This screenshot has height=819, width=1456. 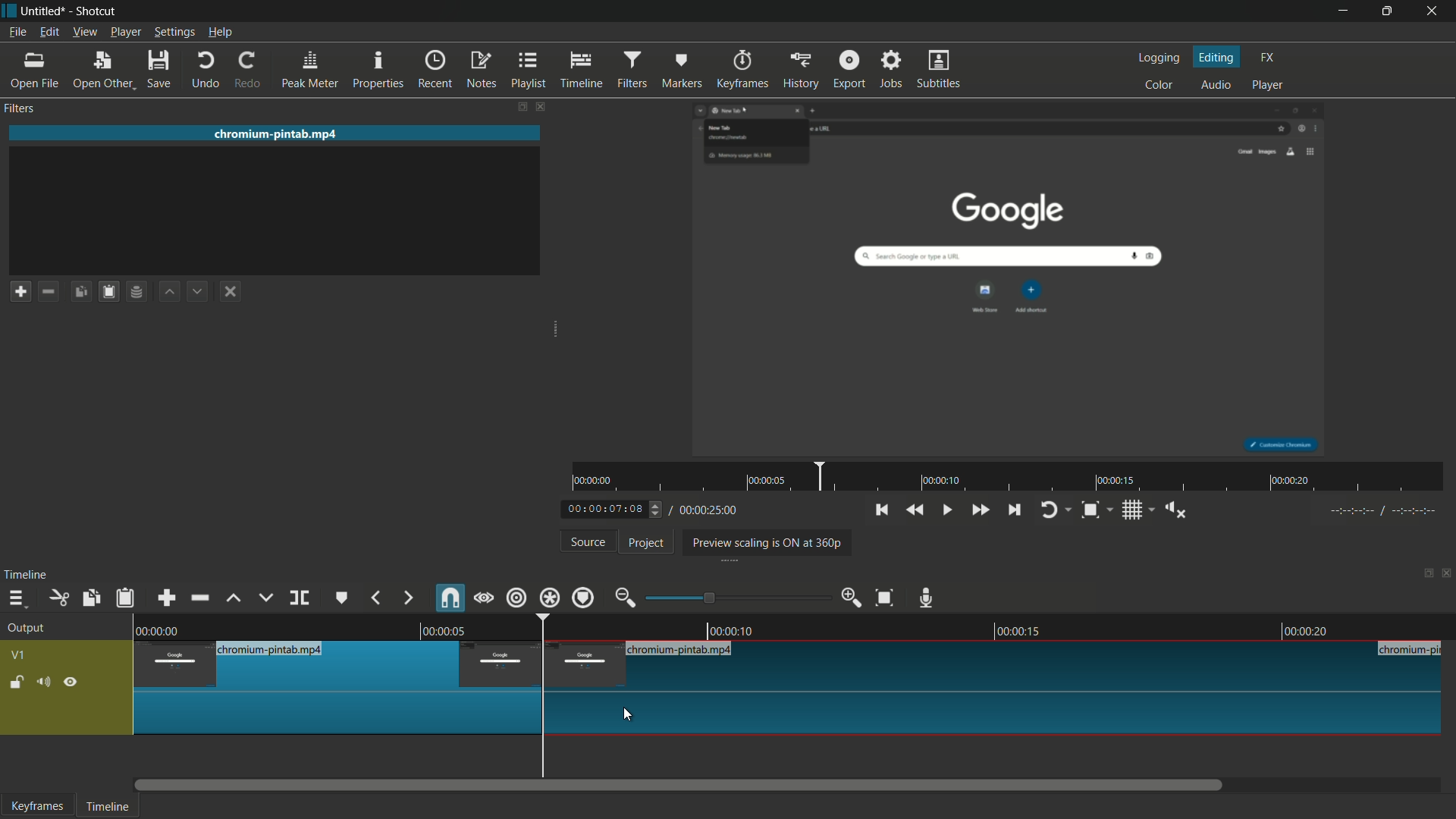 What do you see at coordinates (516, 598) in the screenshot?
I see `ripple` at bounding box center [516, 598].